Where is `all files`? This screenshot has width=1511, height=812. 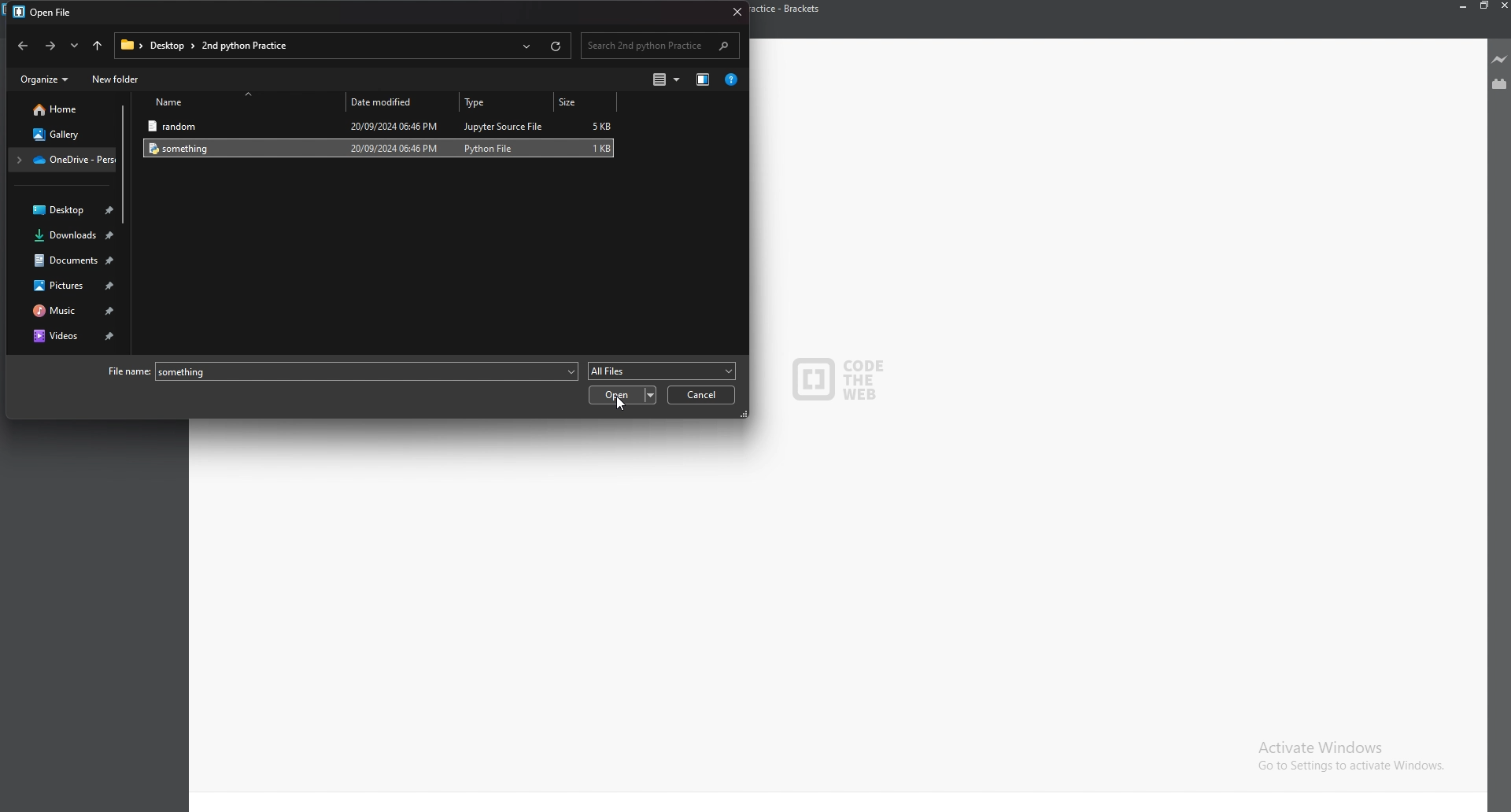
all files is located at coordinates (662, 371).